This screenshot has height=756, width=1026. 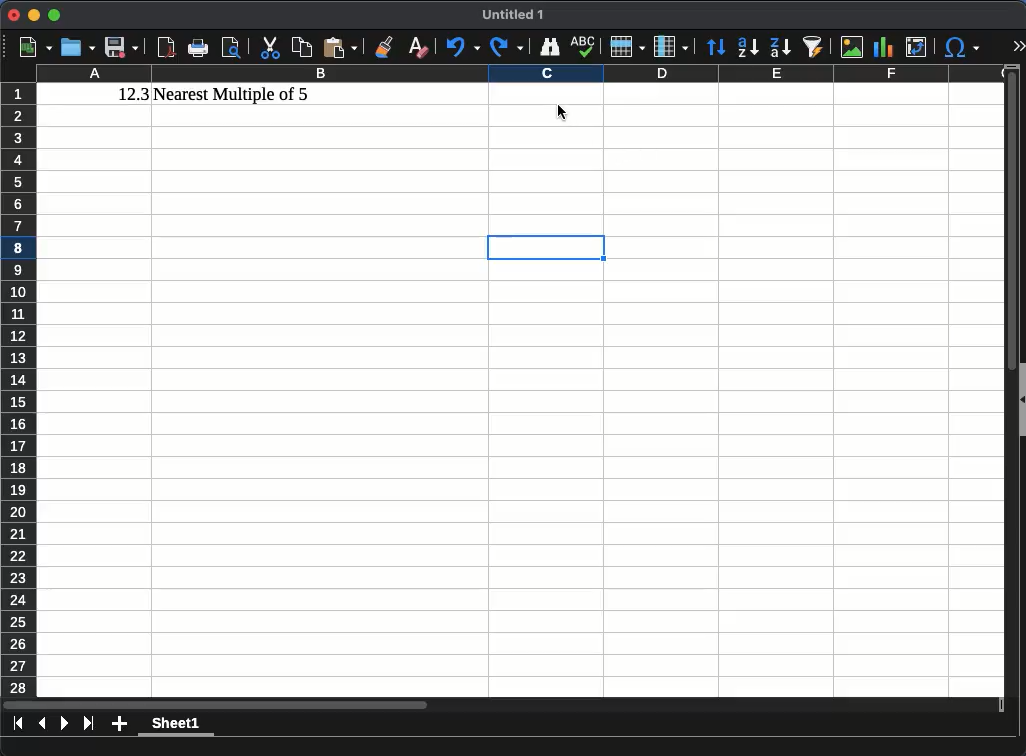 I want to click on autofilter, so click(x=812, y=46).